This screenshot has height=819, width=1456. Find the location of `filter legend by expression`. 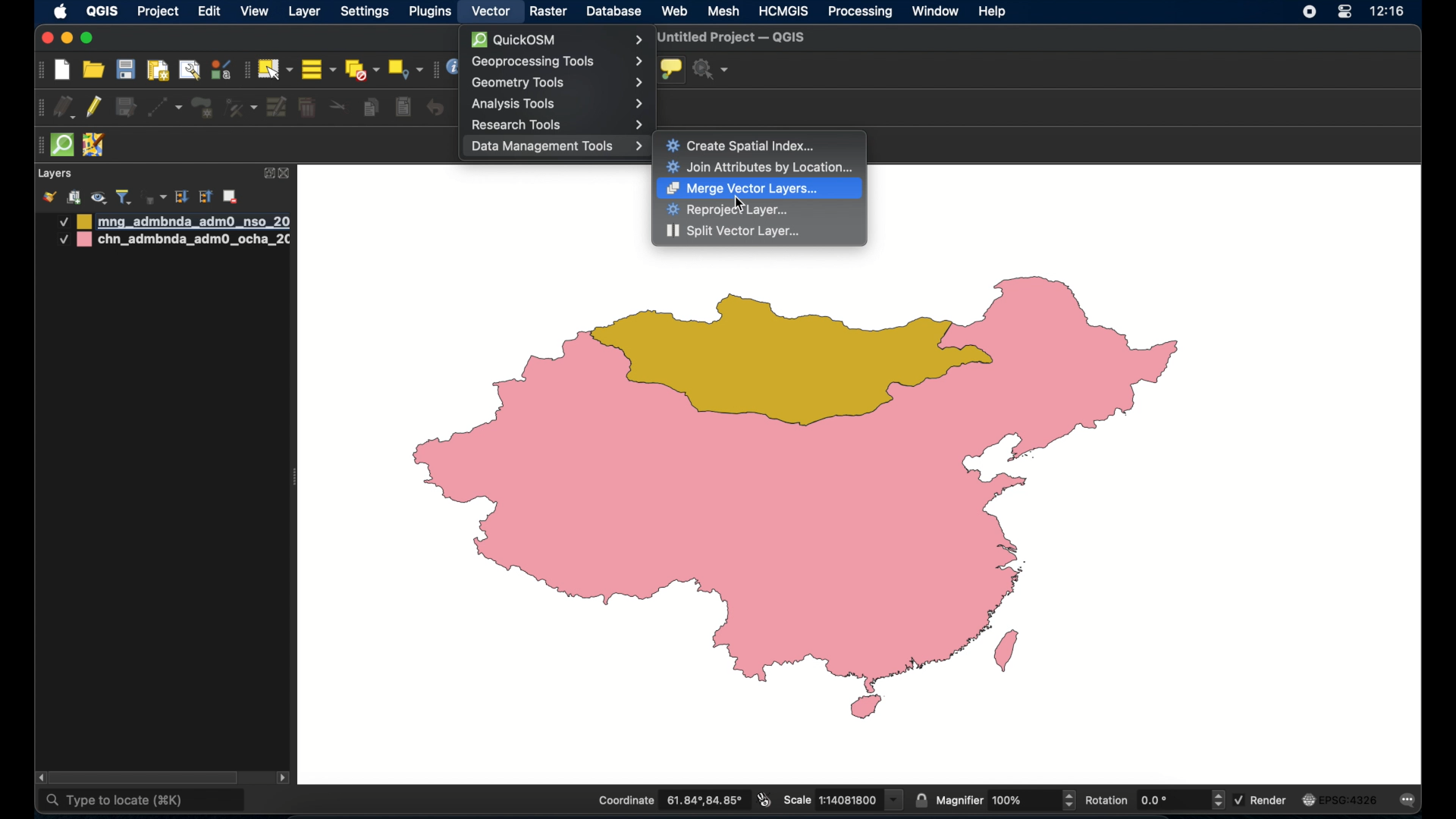

filter legend by expression is located at coordinates (152, 196).